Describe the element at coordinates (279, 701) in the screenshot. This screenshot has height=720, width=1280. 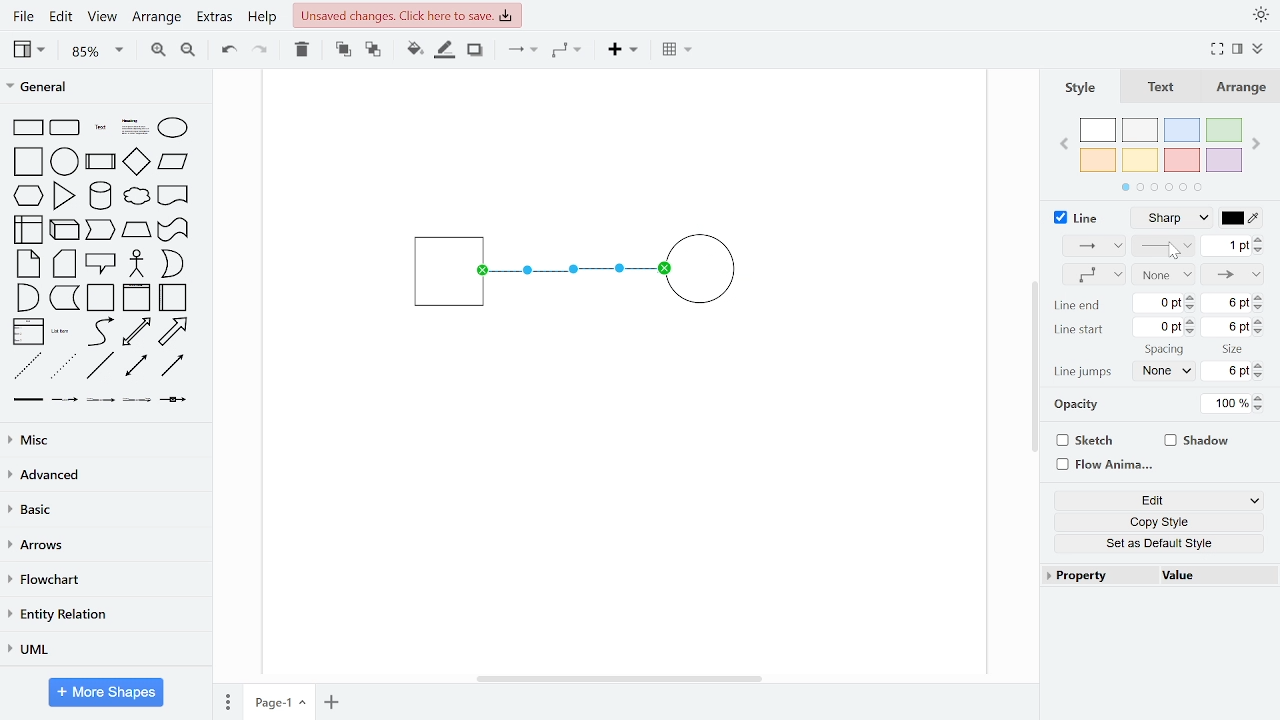
I see `current page` at that location.